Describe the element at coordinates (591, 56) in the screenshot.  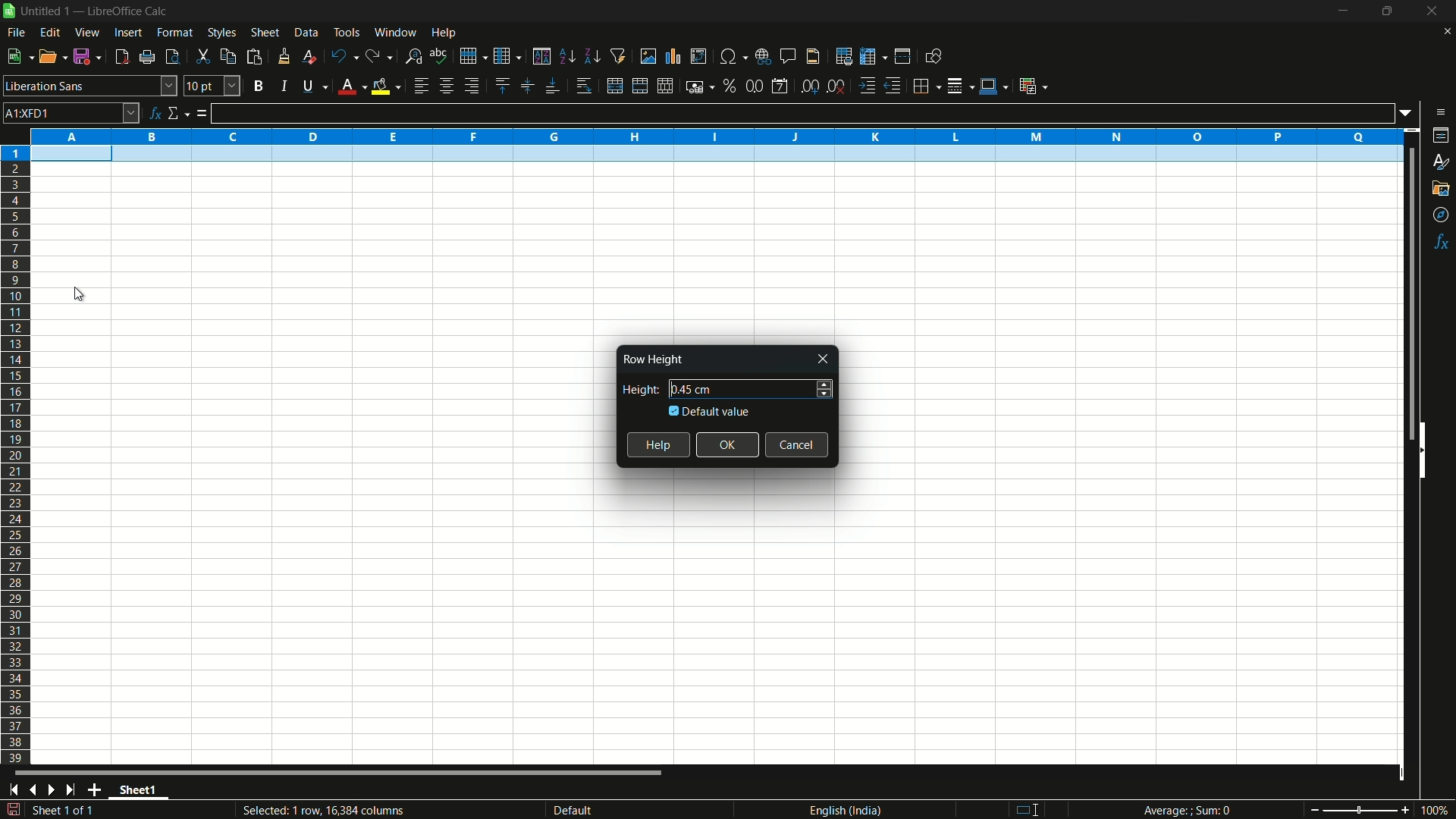
I see `sort descending` at that location.